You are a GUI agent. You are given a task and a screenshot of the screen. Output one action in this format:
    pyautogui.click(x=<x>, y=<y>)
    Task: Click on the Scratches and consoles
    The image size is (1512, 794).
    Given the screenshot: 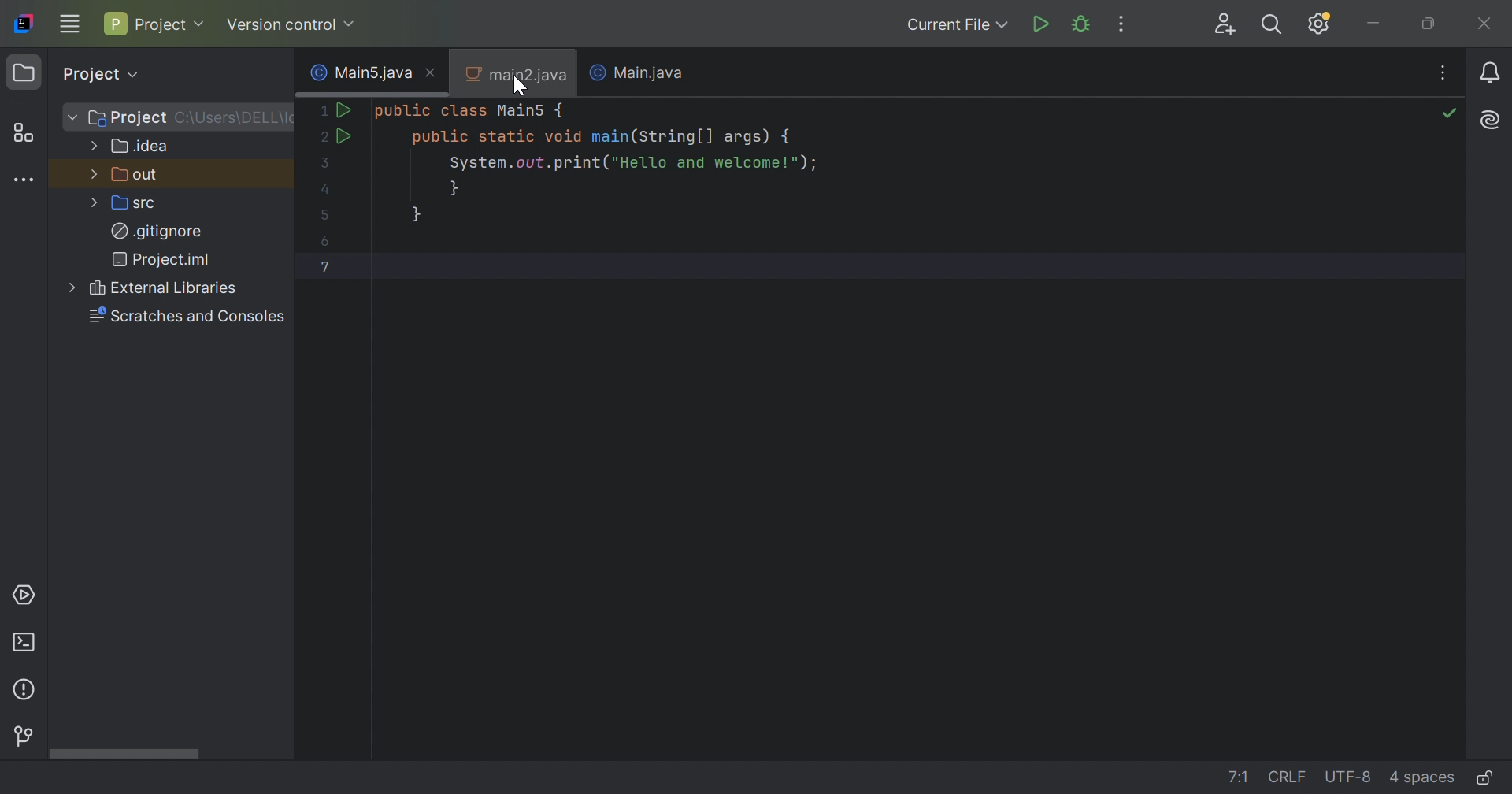 What is the action you would take?
    pyautogui.click(x=190, y=316)
    